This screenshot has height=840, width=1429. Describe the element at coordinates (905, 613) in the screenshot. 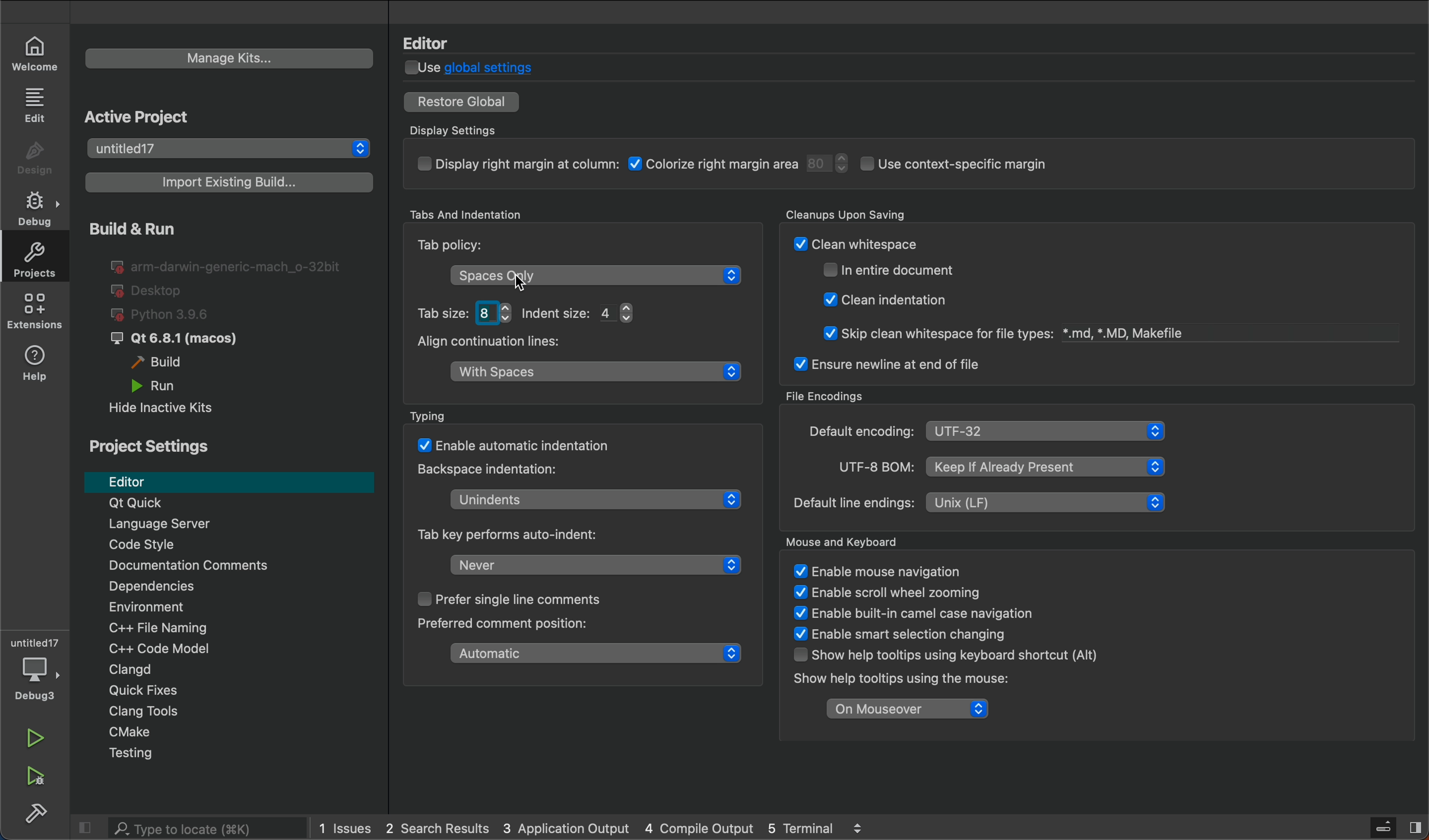

I see `enable built in` at that location.